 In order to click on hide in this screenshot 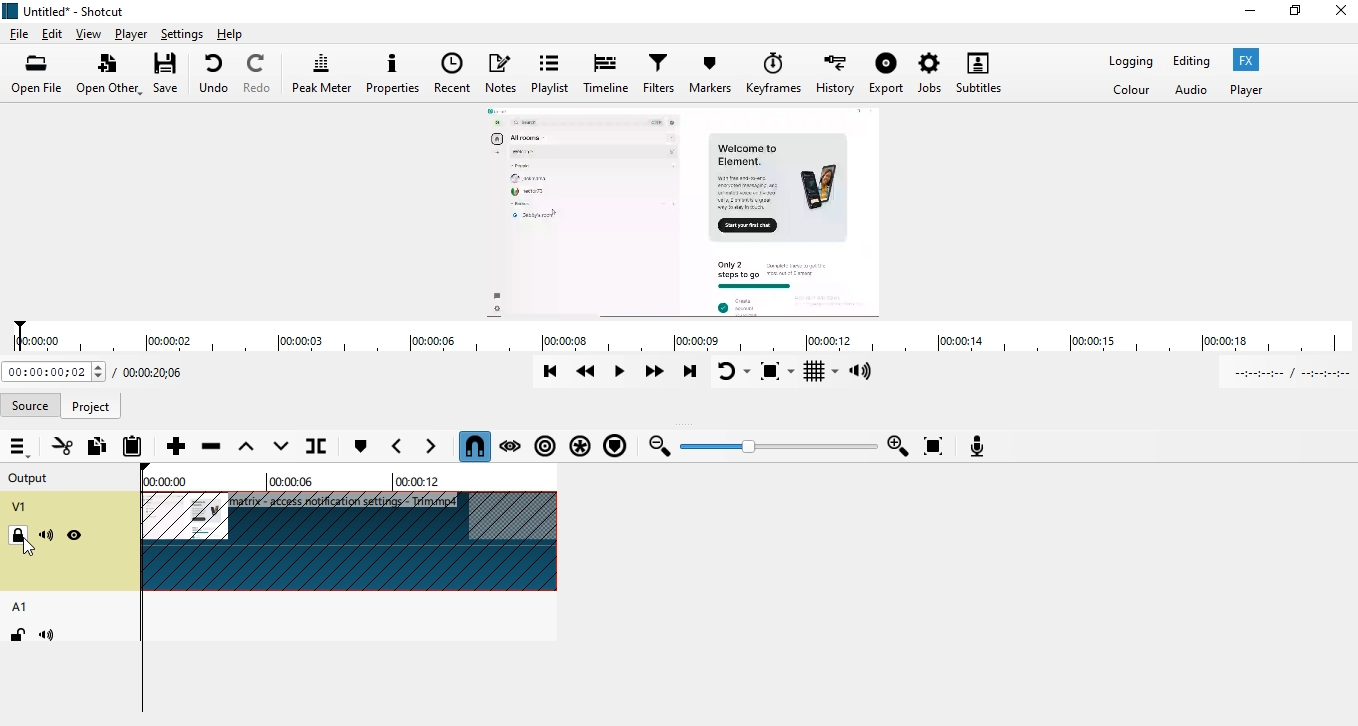, I will do `click(75, 536)`.